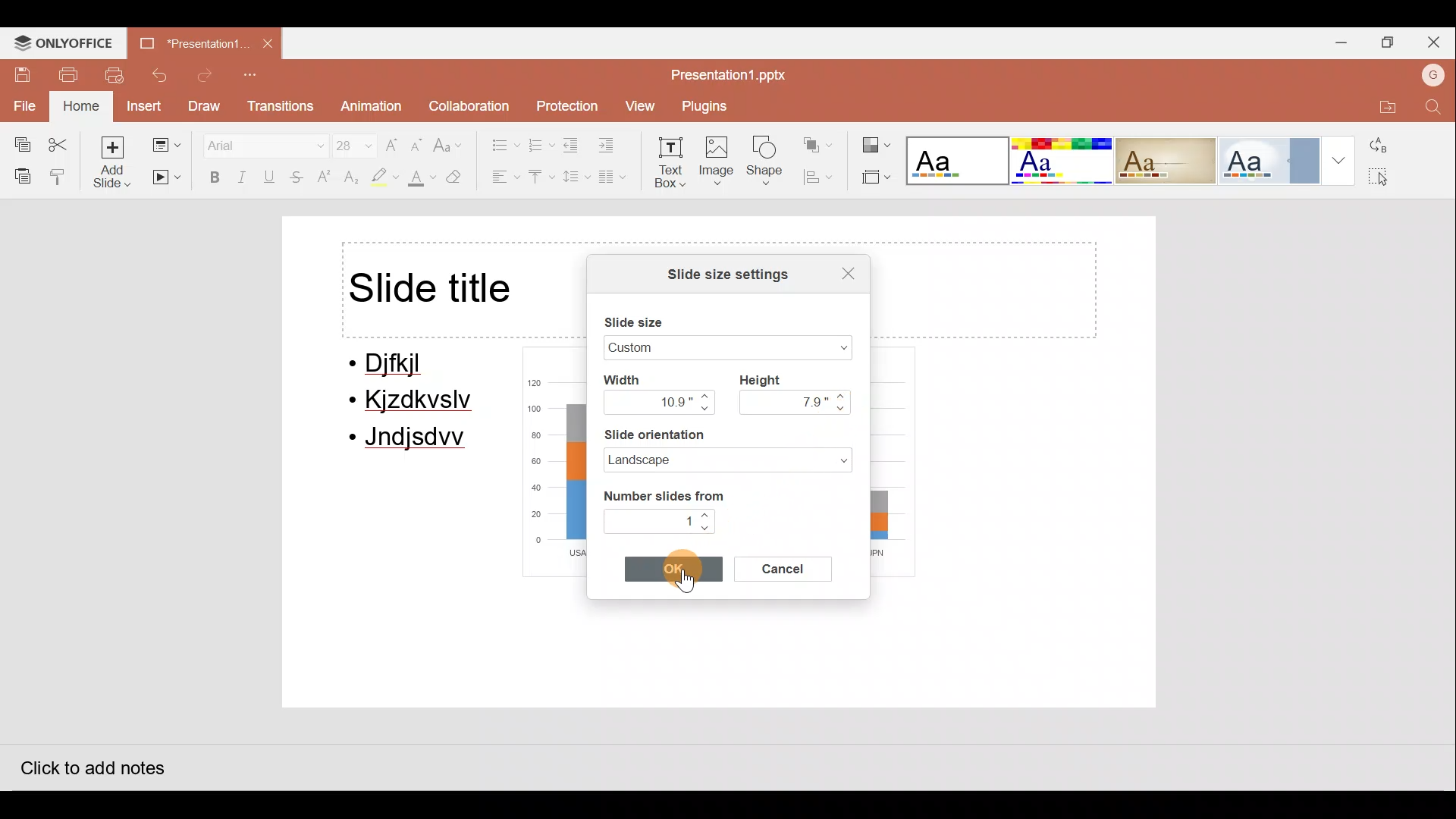  What do you see at coordinates (820, 140) in the screenshot?
I see `Arrange shape` at bounding box center [820, 140].